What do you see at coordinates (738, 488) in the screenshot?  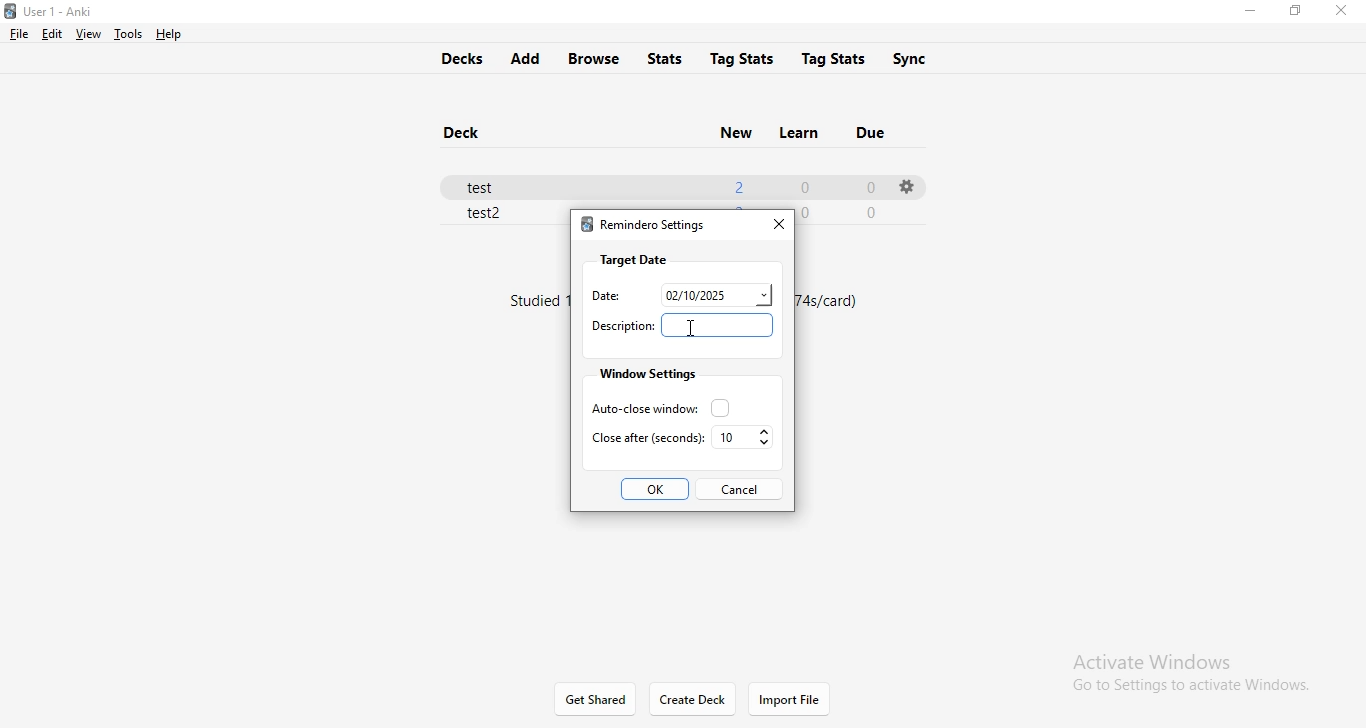 I see `cancel` at bounding box center [738, 488].